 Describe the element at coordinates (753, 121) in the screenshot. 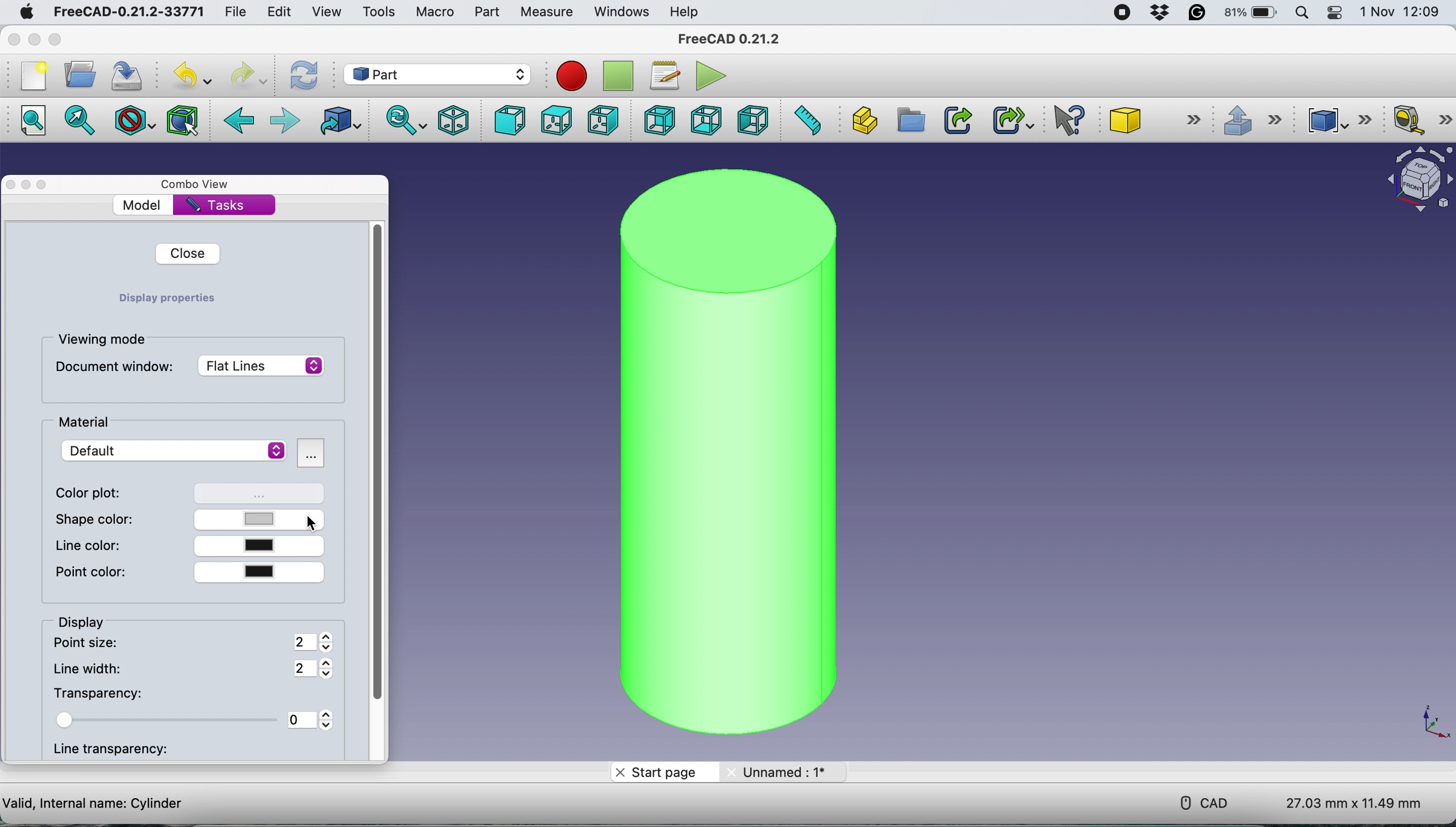

I see `left` at that location.